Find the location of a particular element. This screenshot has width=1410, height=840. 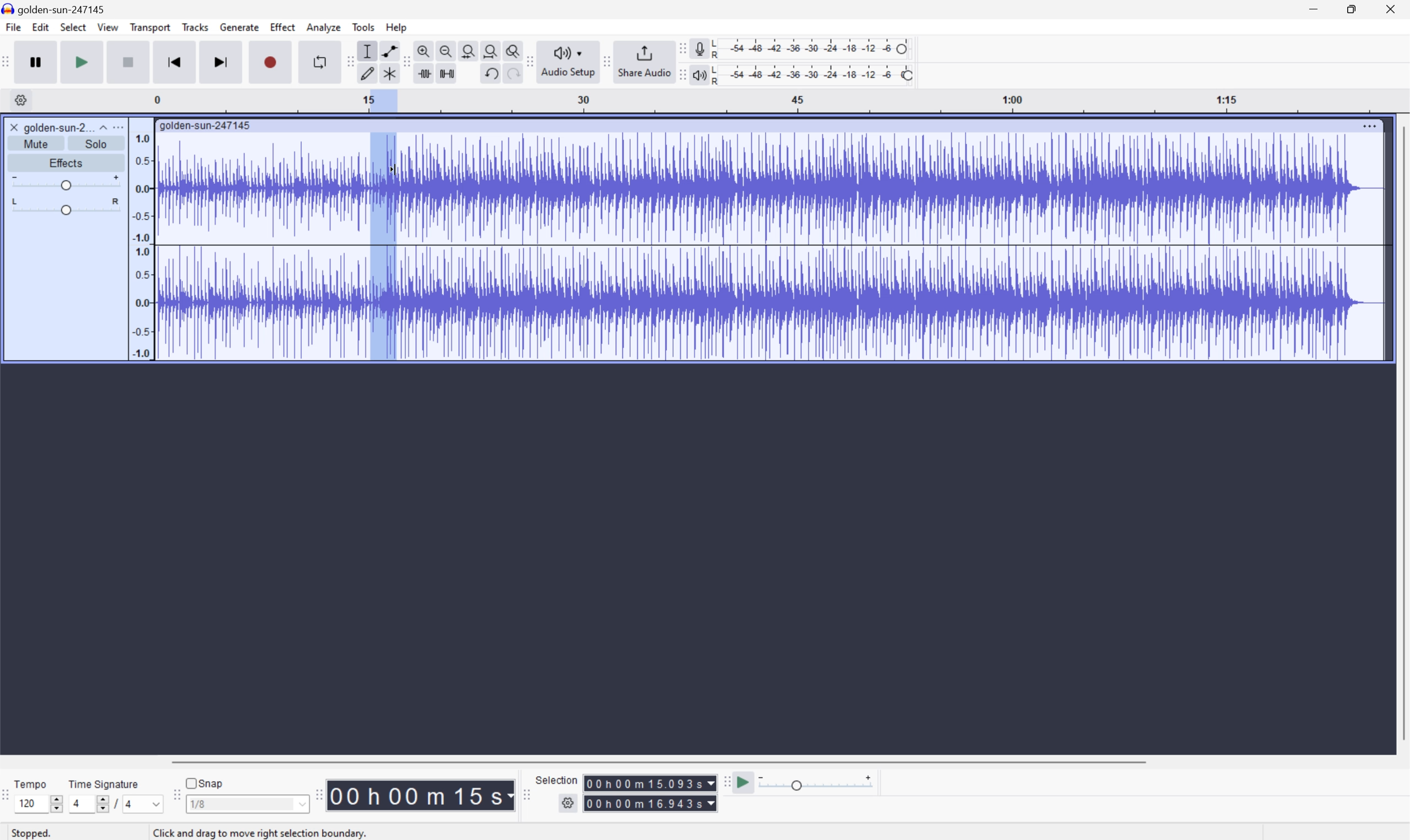

Selection is located at coordinates (557, 779).